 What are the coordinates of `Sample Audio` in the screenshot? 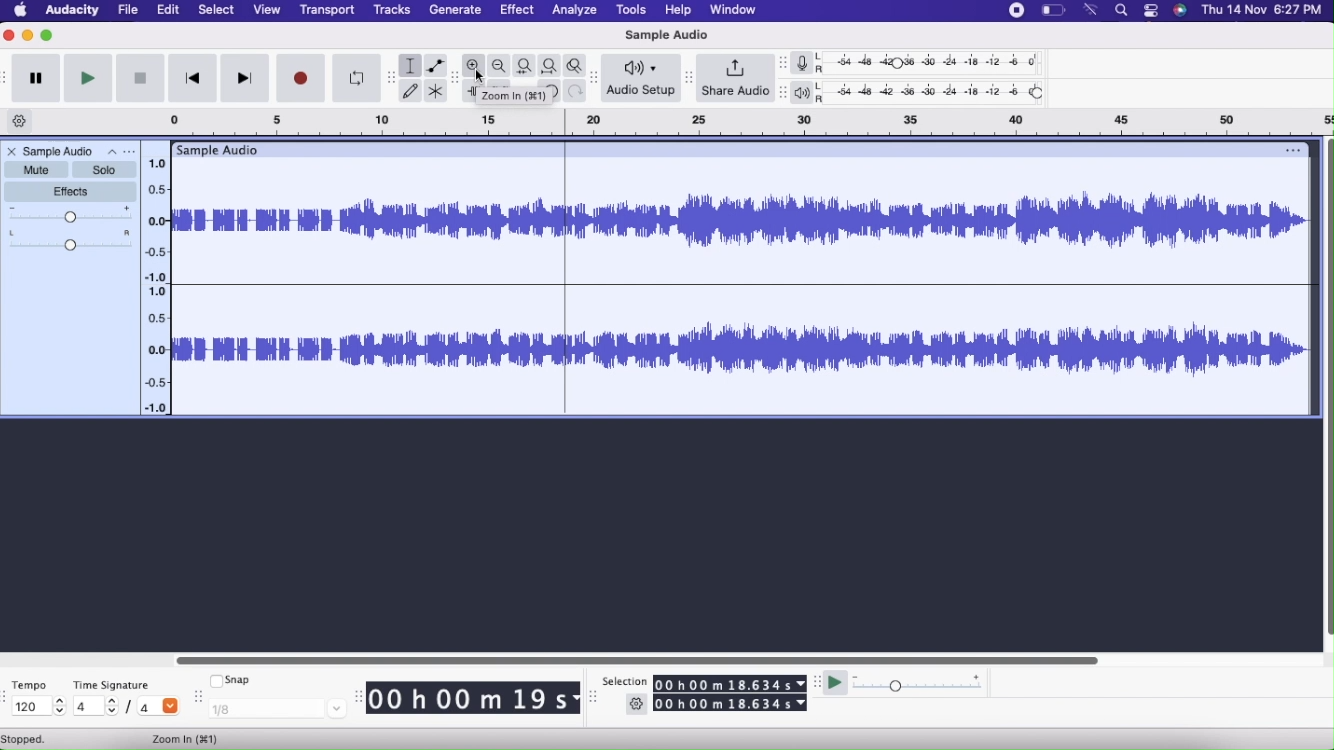 It's located at (59, 151).